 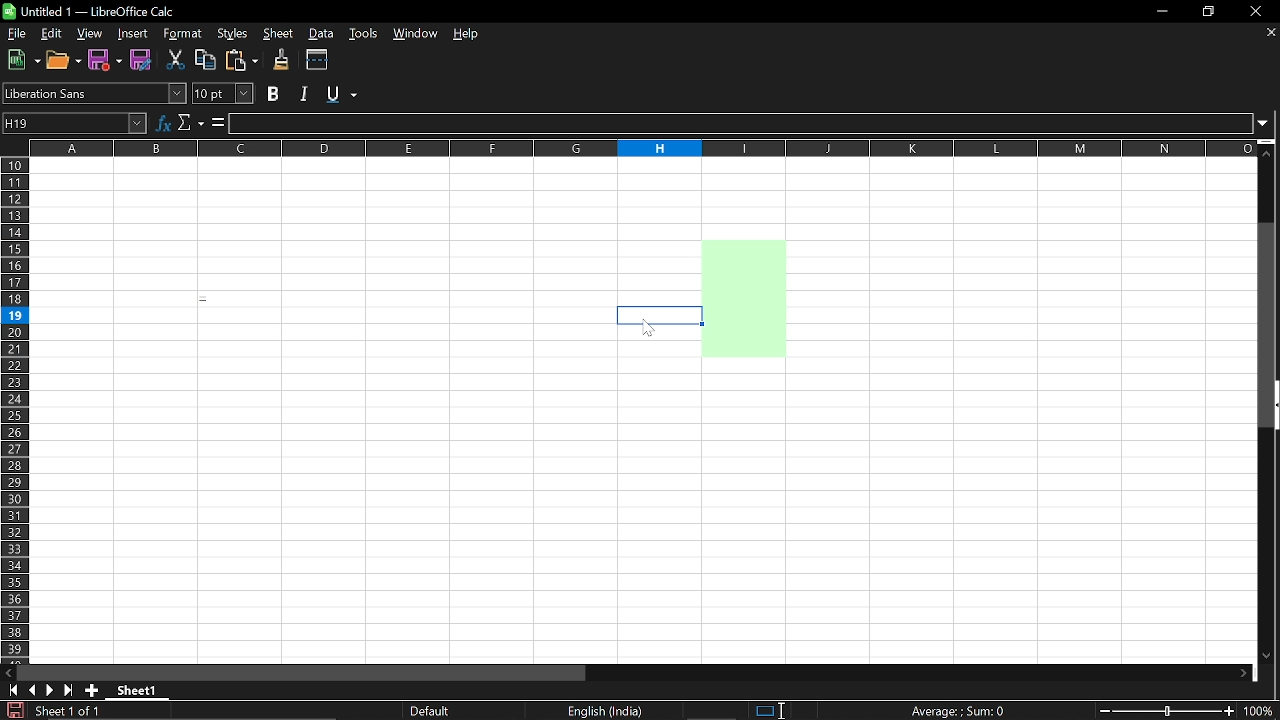 I want to click on Formula, so click(x=218, y=124).